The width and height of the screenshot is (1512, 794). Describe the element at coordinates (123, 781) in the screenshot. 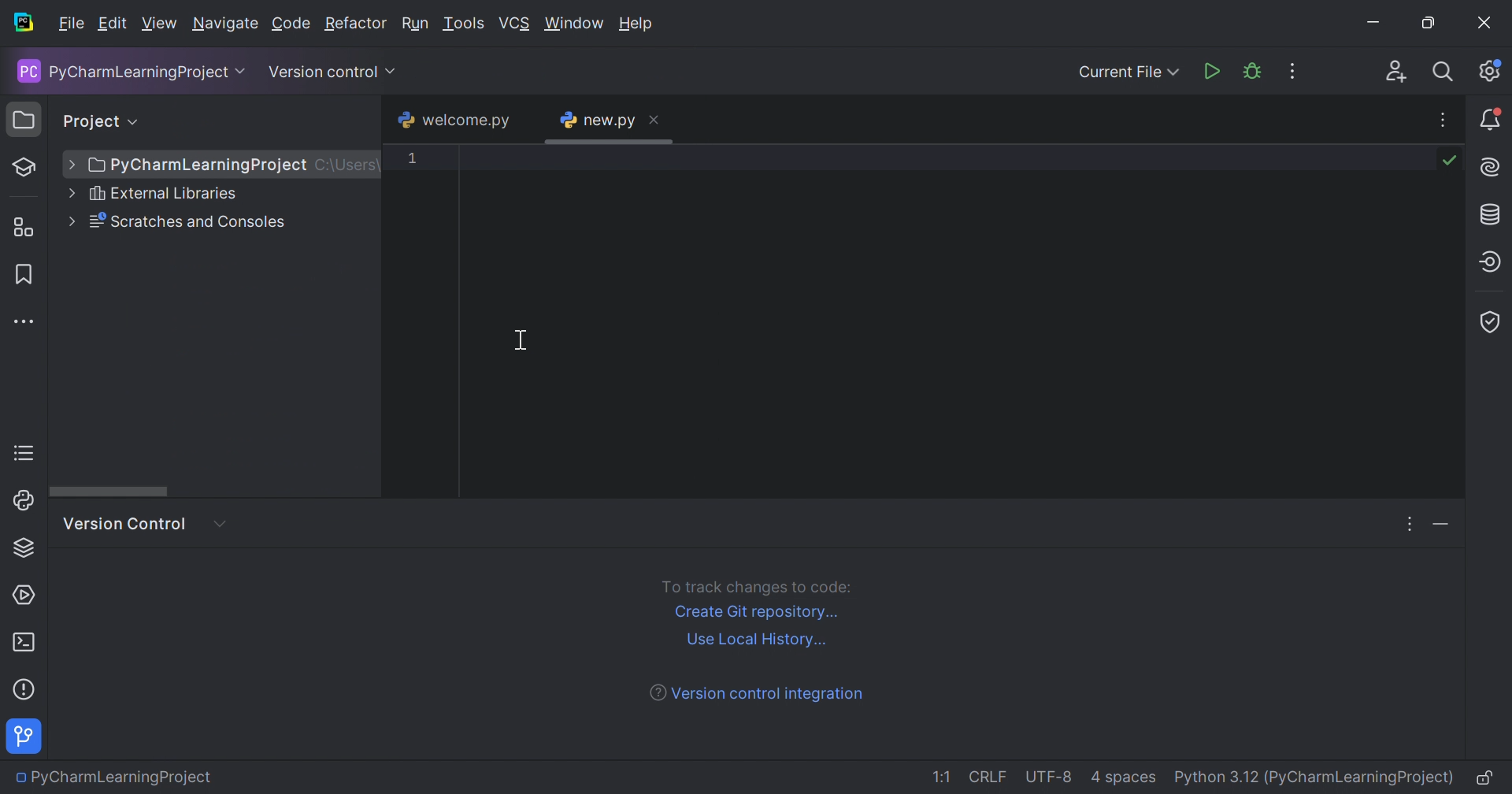

I see `PyCharmLearningProject` at that location.